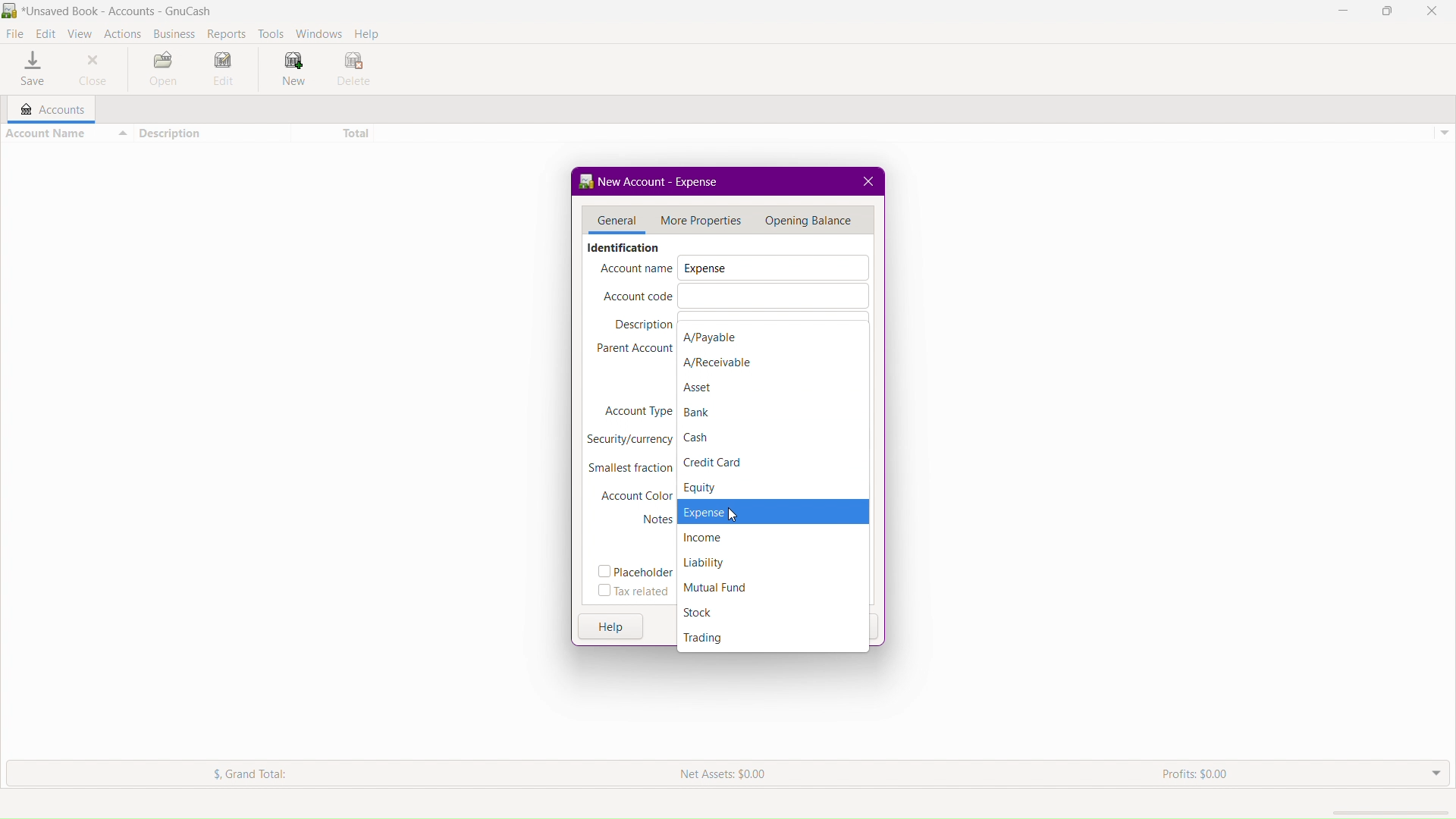  What do you see at coordinates (224, 32) in the screenshot?
I see `Reports` at bounding box center [224, 32].